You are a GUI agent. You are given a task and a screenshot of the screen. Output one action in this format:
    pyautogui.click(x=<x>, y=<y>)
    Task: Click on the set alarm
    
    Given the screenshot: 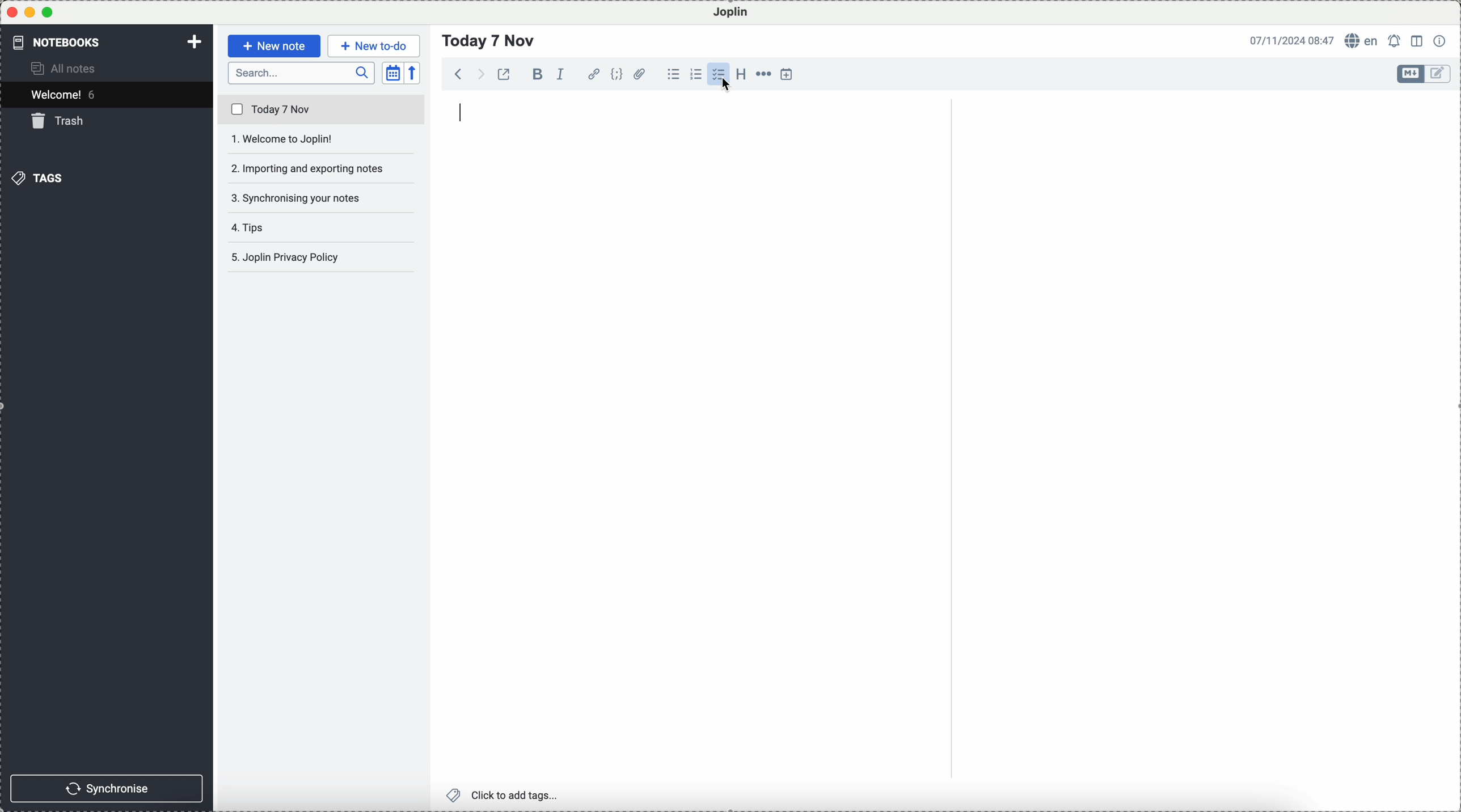 What is the action you would take?
    pyautogui.click(x=1396, y=41)
    